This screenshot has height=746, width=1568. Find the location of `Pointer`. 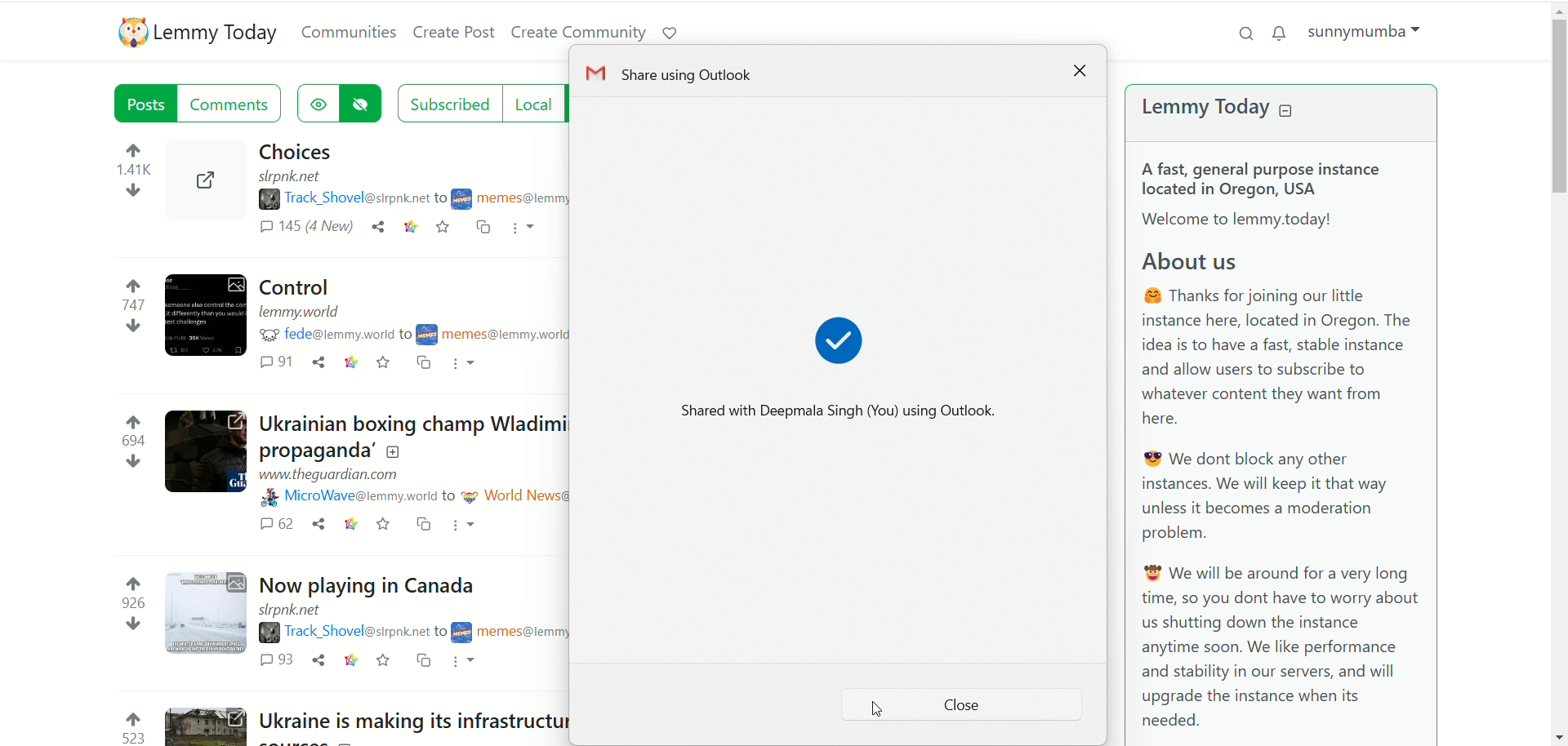

Pointer is located at coordinates (882, 712).